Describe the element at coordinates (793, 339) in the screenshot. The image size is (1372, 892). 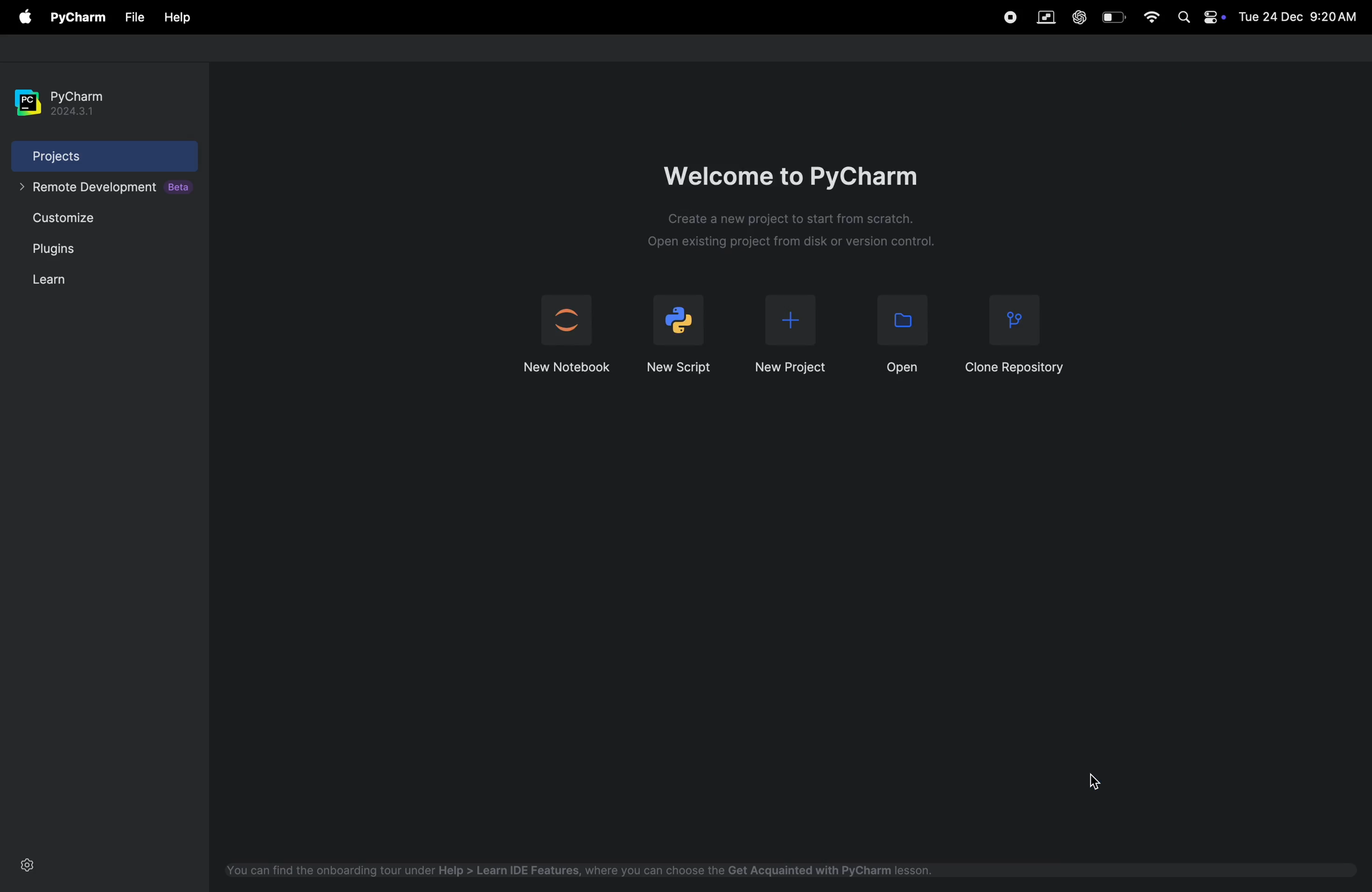
I see `new project` at that location.